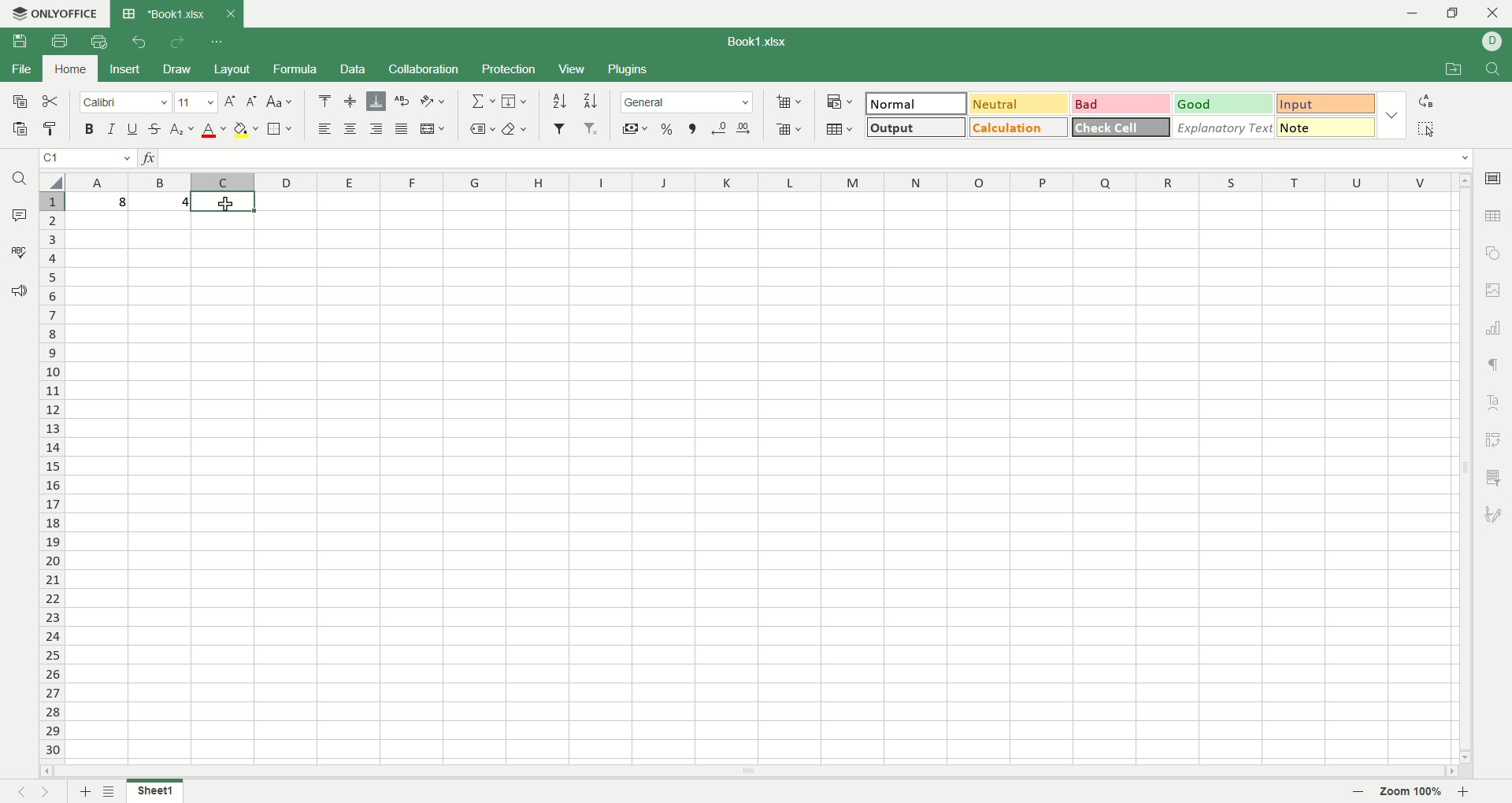  What do you see at coordinates (228, 206) in the screenshot?
I see `cursor` at bounding box center [228, 206].